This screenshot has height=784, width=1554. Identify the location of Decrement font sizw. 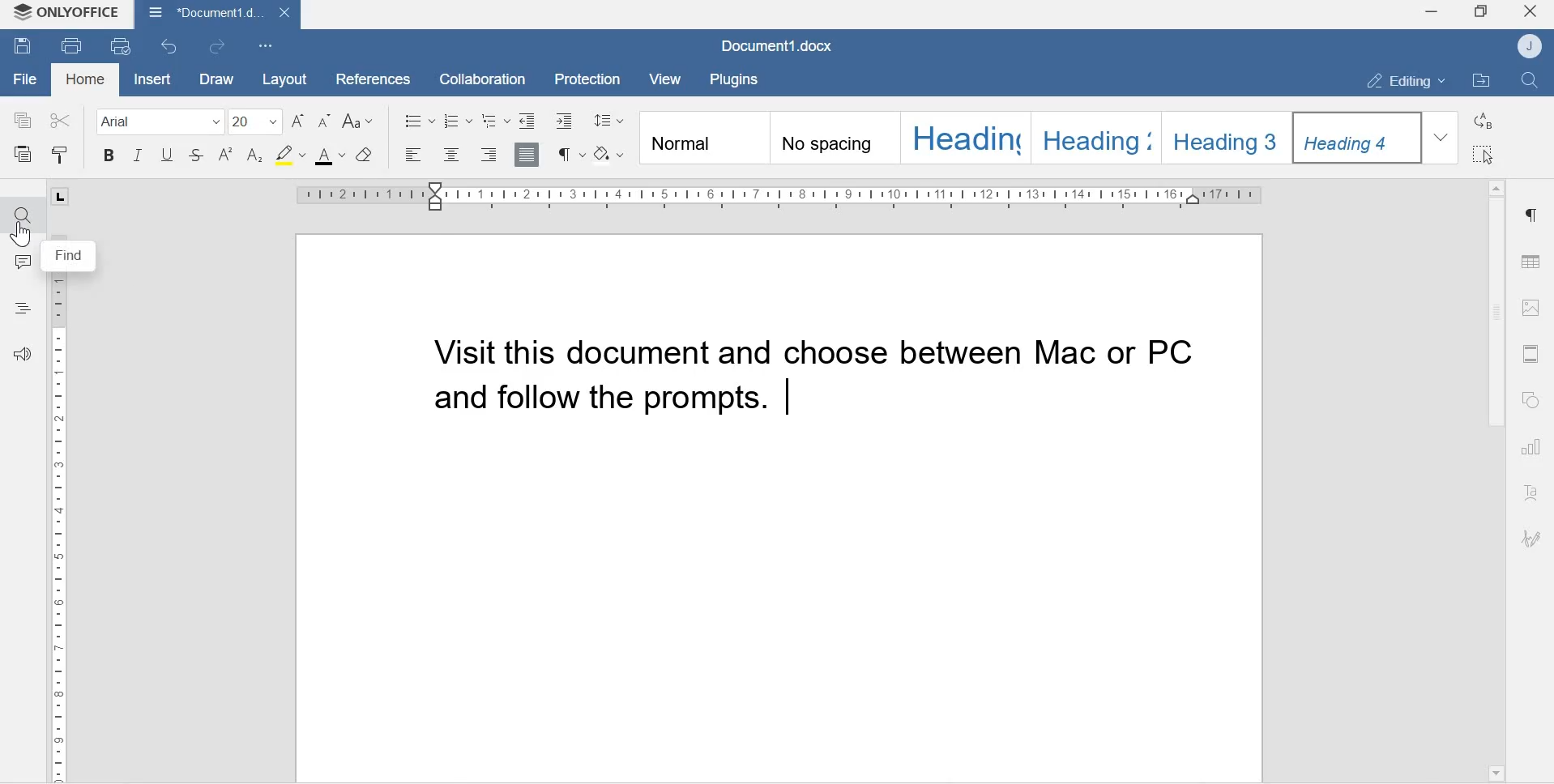
(325, 121).